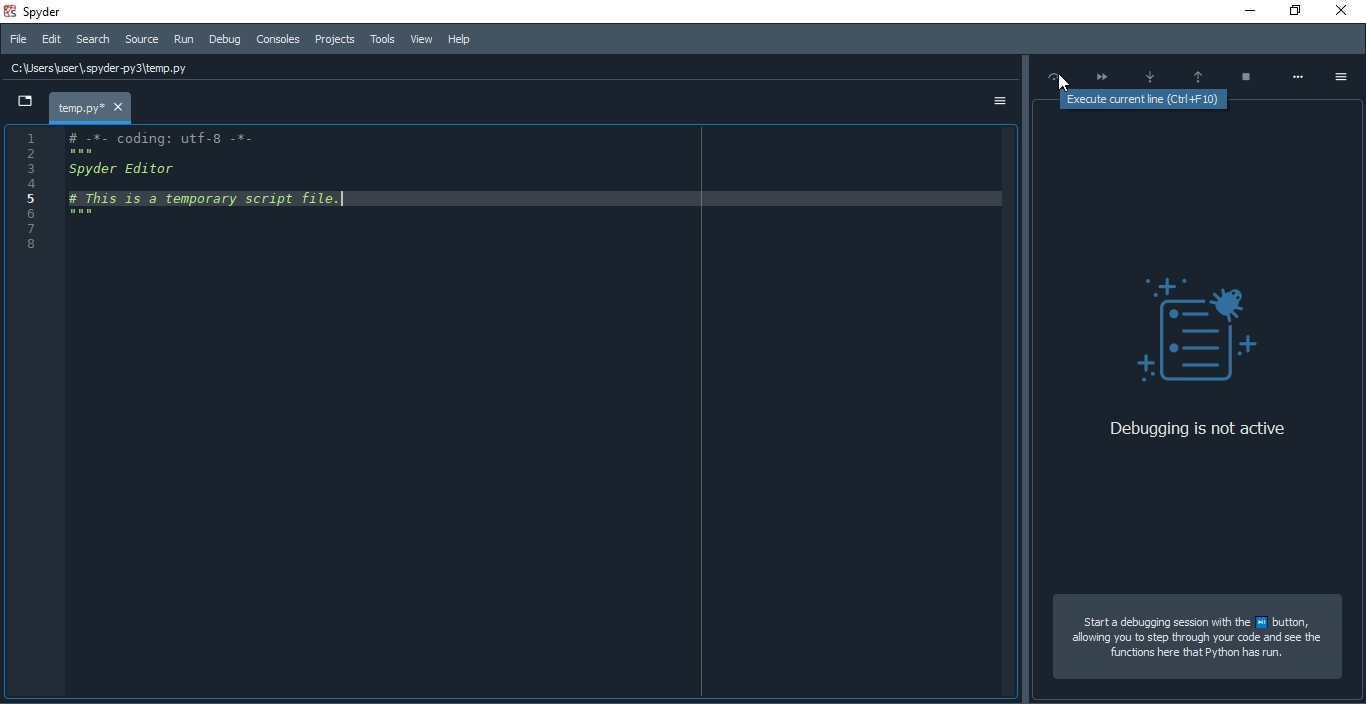  I want to click on # -%- coding: utT-8 -*-
Spyder Editor
 # This is a temporary script file.|, so click(236, 174).